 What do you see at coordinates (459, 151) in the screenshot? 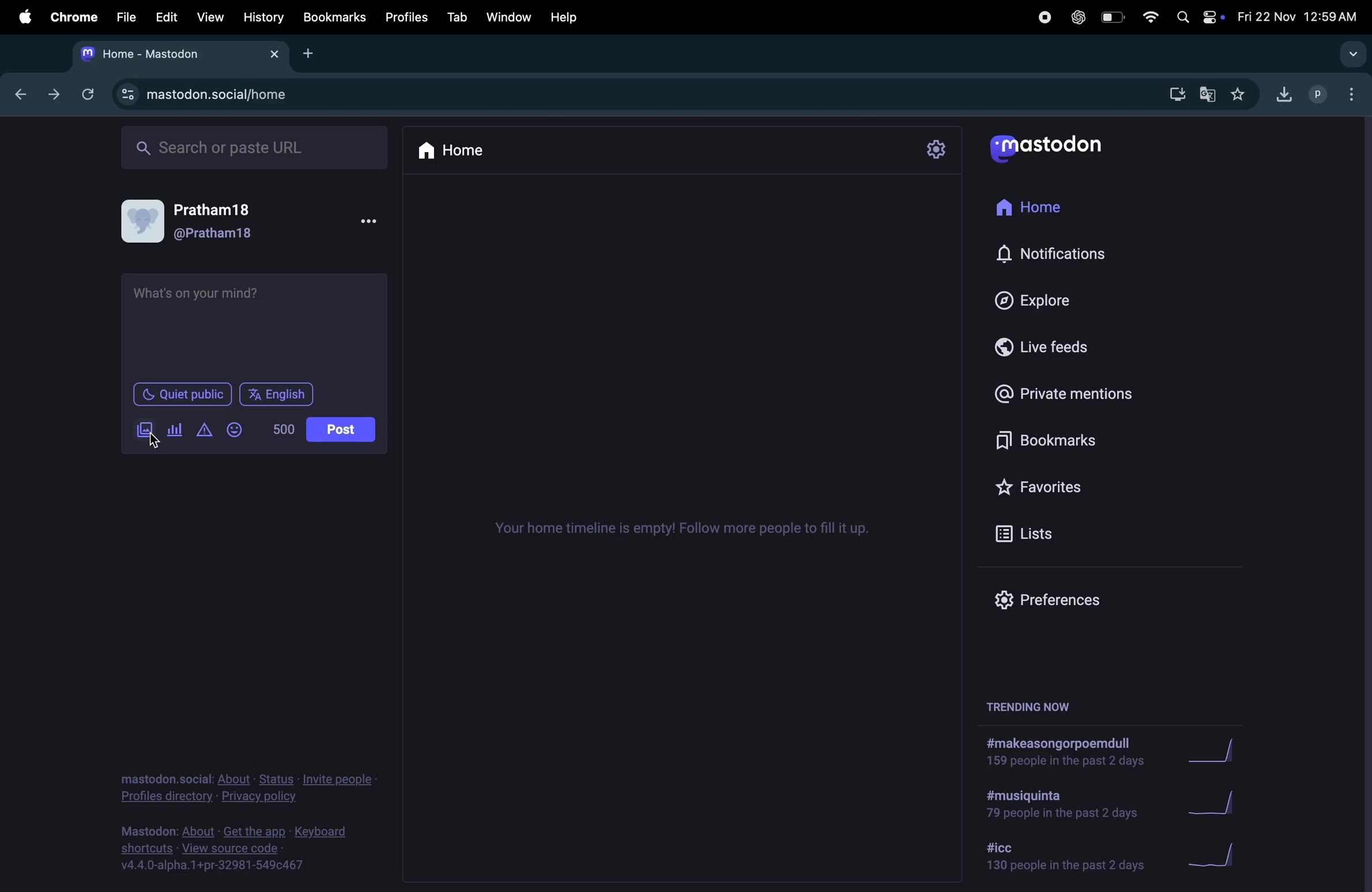
I see `home` at bounding box center [459, 151].